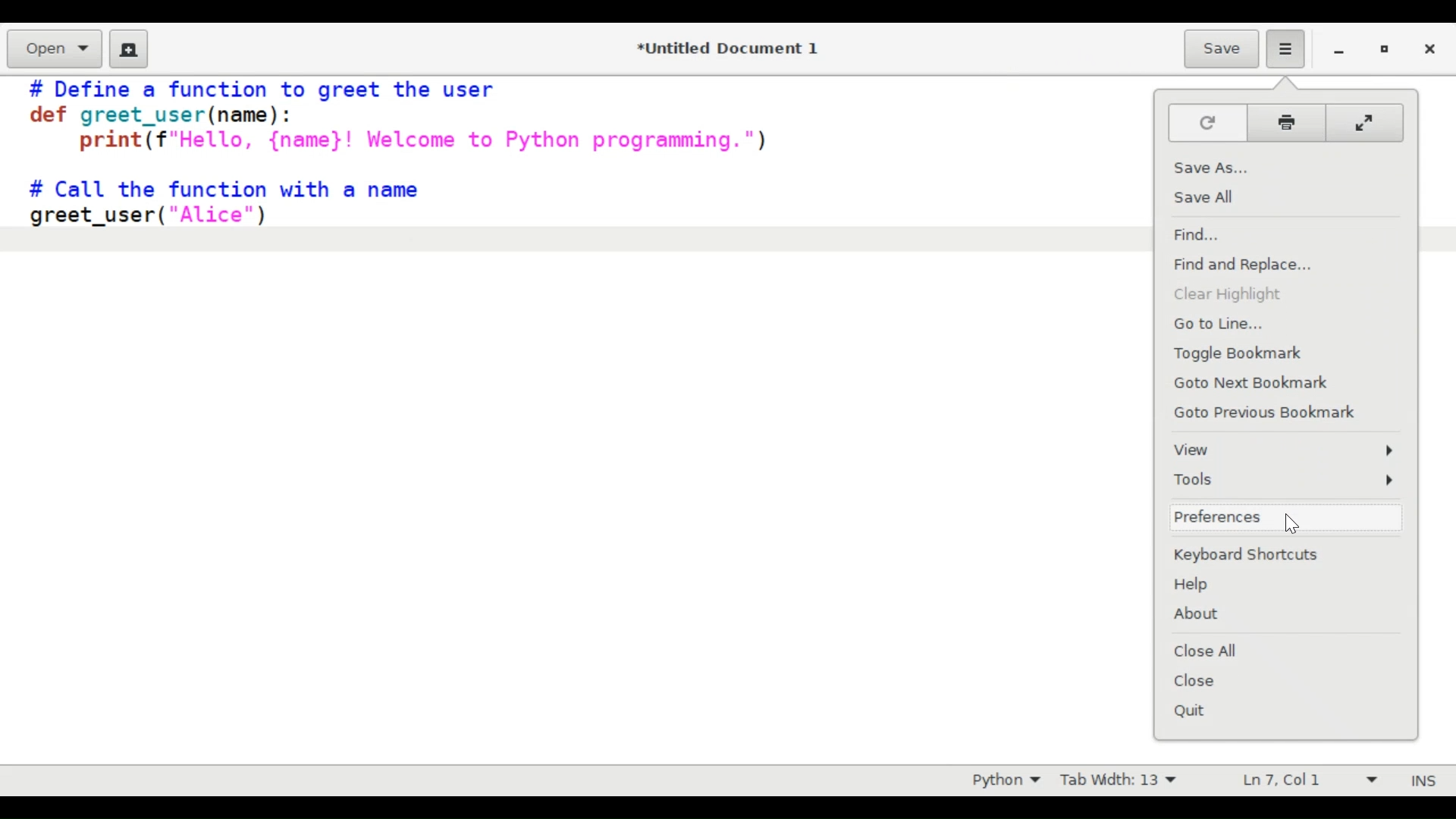  I want to click on Toggle Bookmark, so click(1275, 354).